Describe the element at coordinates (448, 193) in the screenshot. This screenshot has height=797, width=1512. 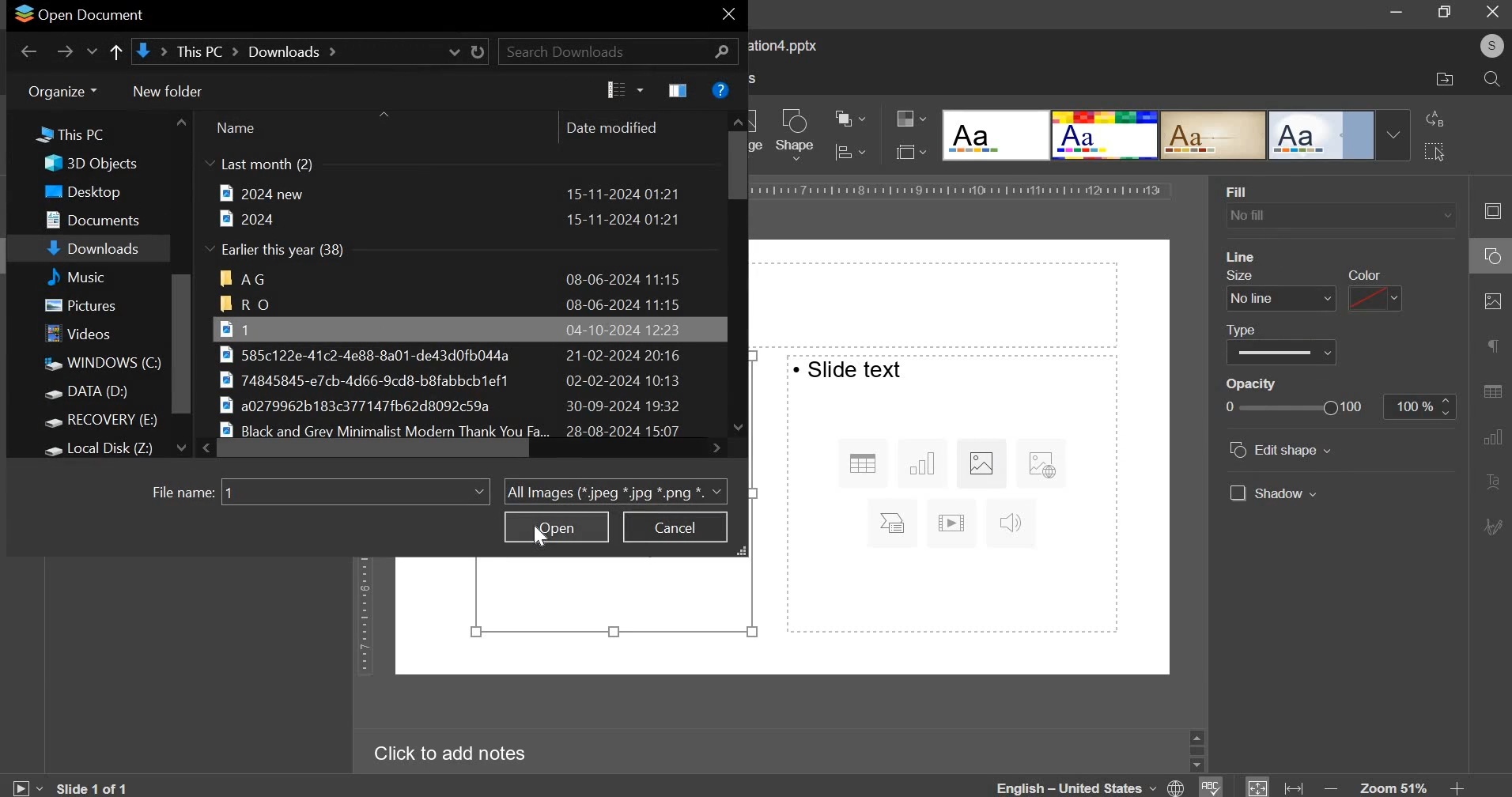
I see `file` at that location.